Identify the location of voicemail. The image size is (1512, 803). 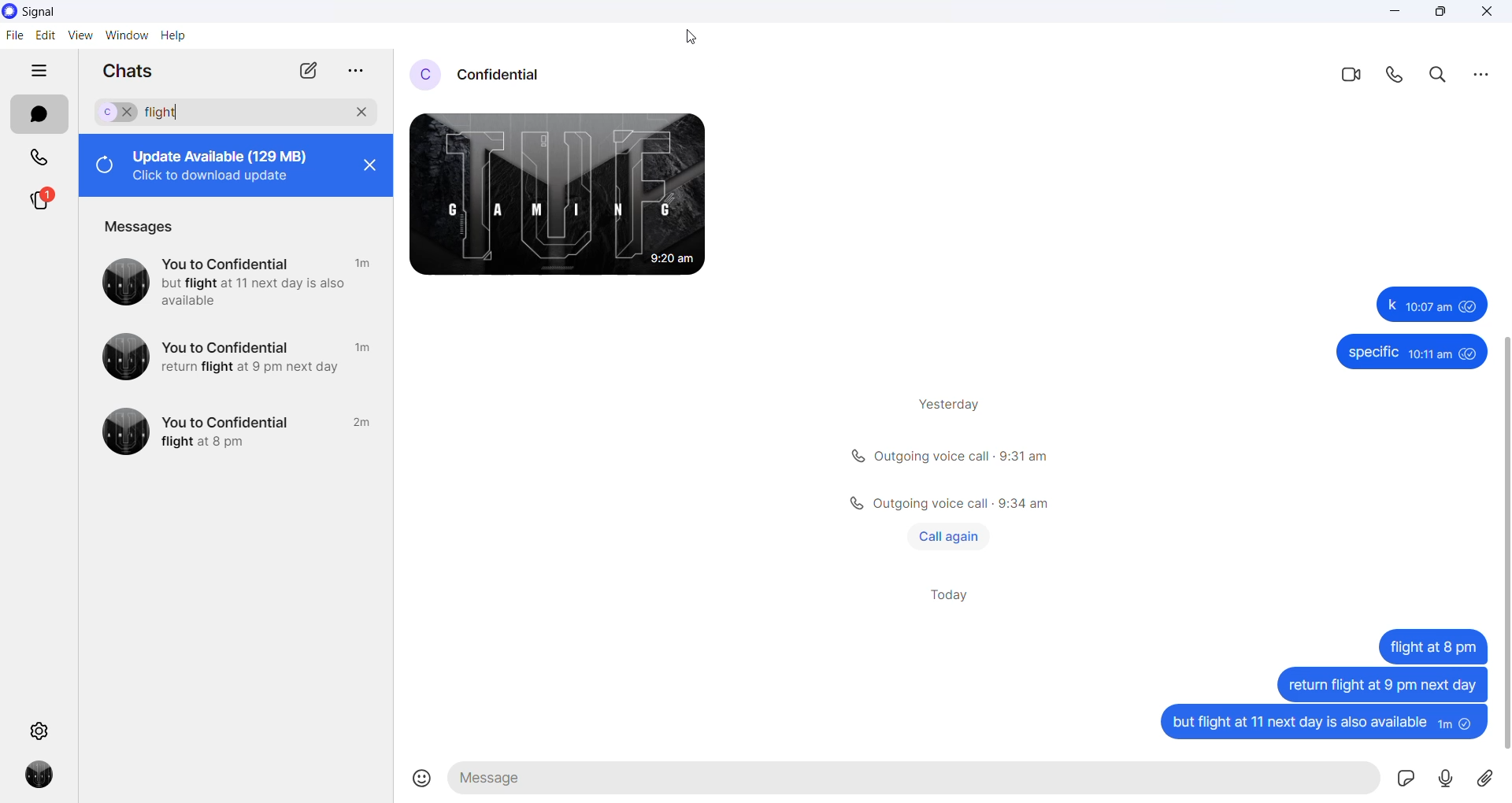
(1448, 779).